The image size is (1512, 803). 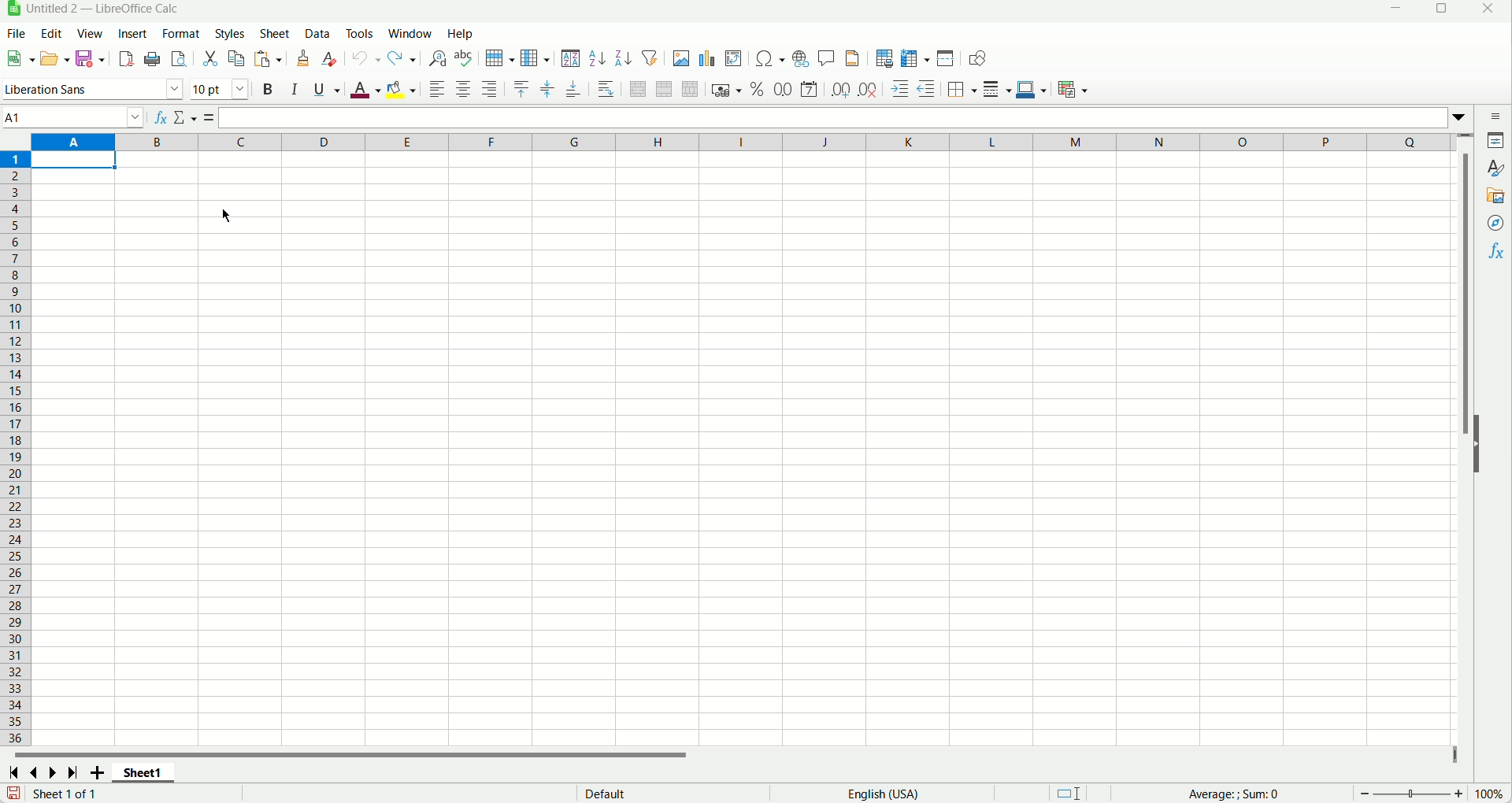 I want to click on Border color, so click(x=1031, y=89).